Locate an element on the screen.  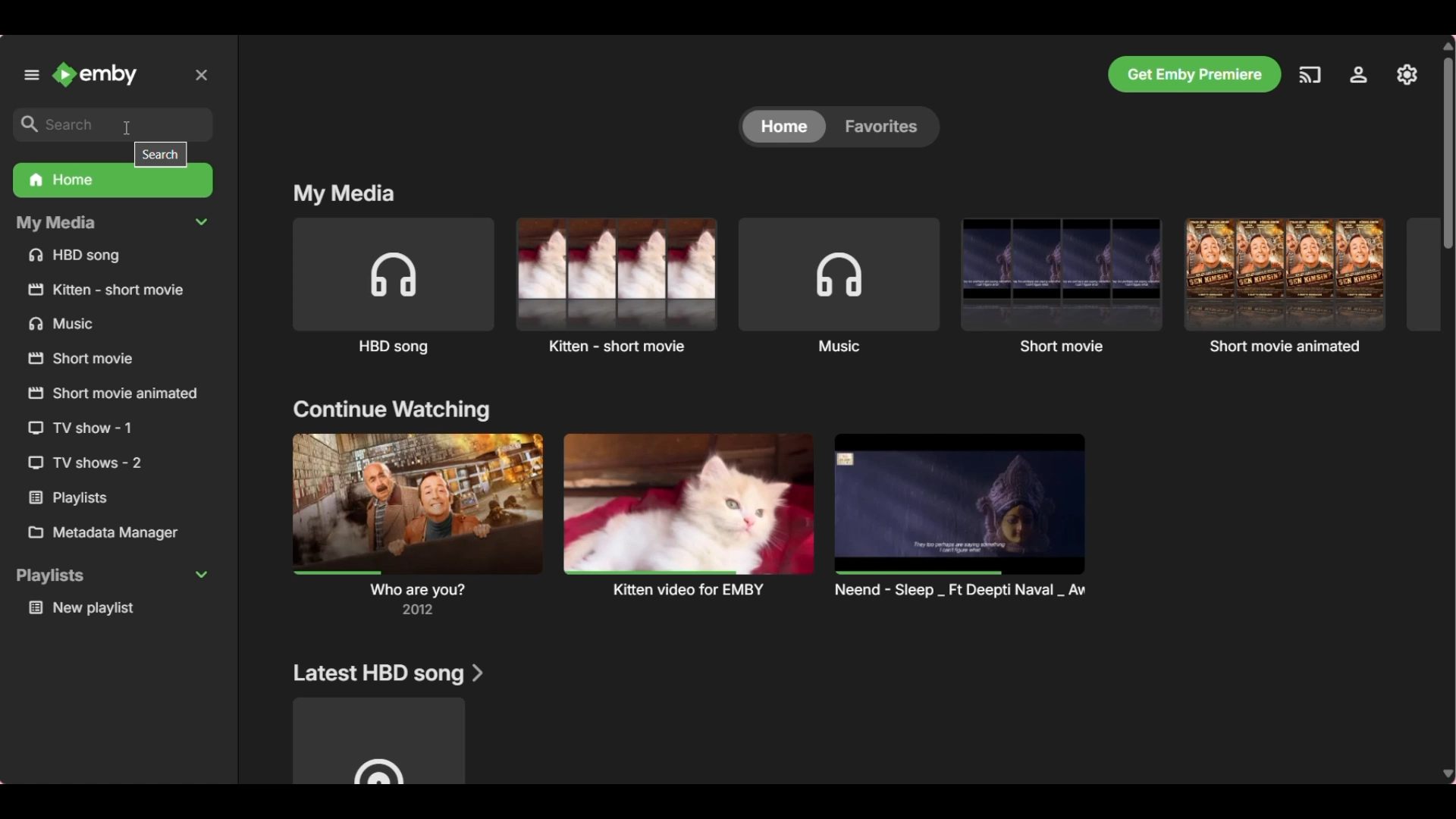
Settings is located at coordinates (1359, 74).